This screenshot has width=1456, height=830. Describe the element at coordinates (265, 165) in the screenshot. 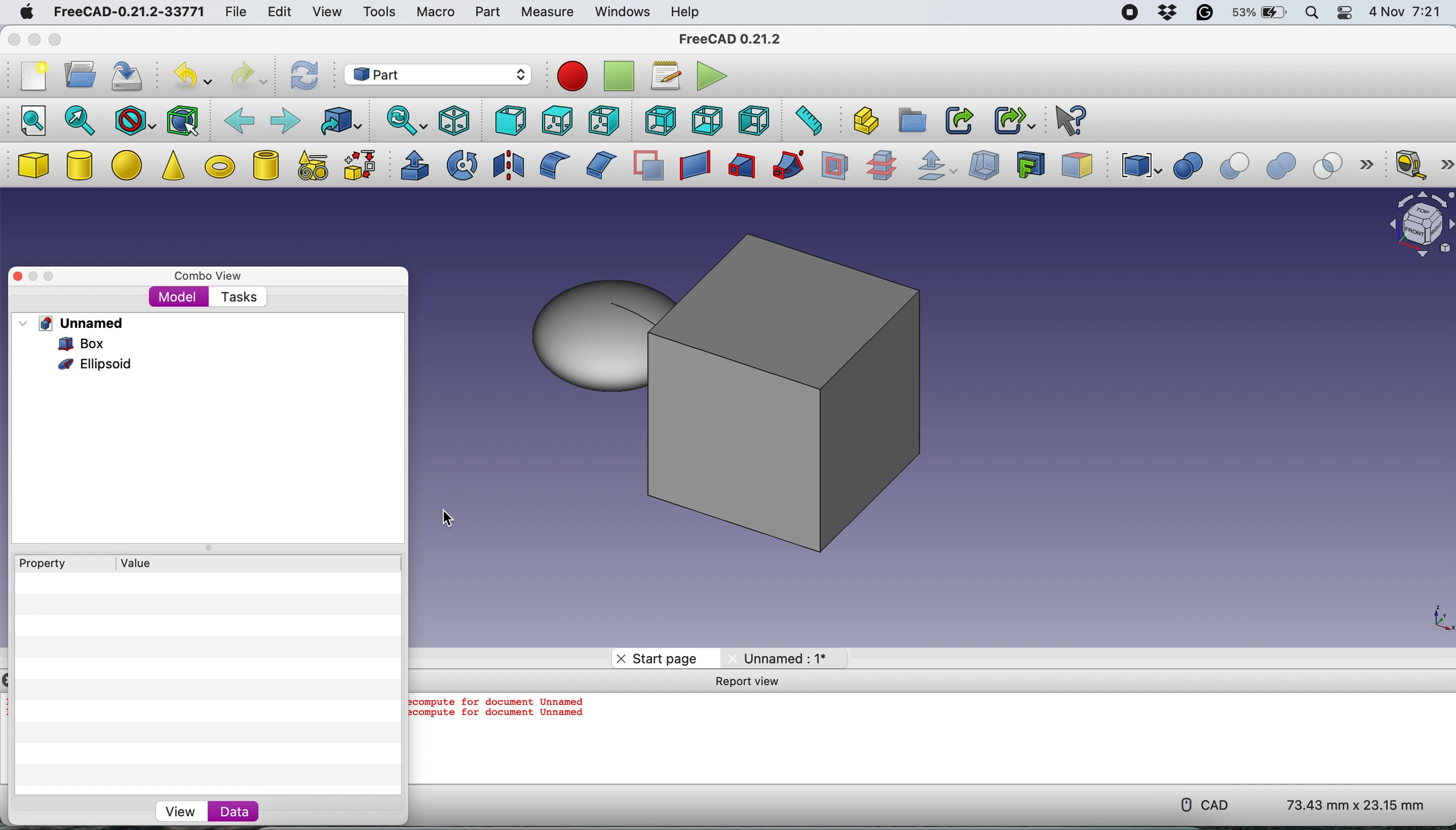

I see `create tube` at that location.